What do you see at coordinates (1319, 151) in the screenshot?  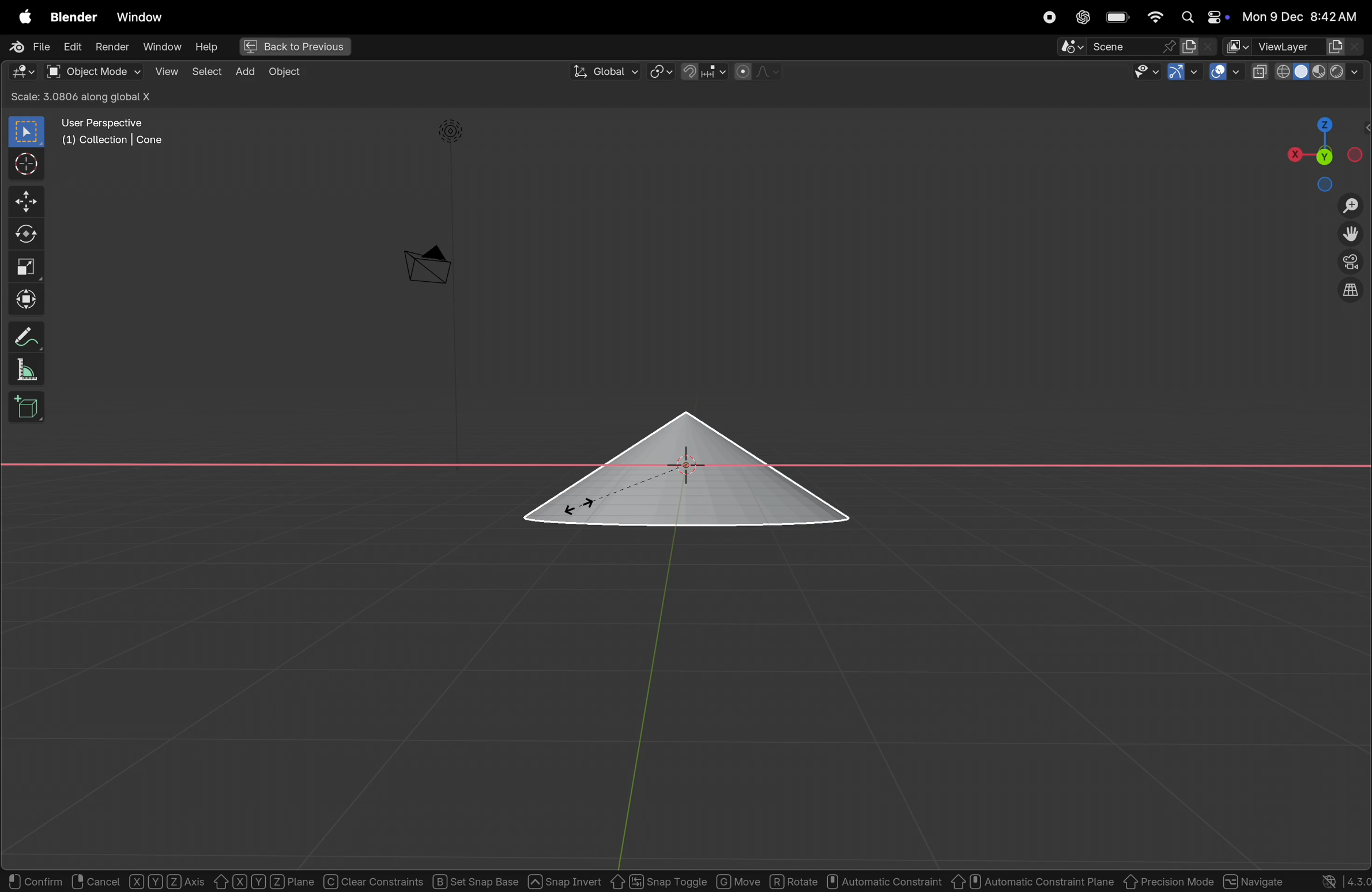 I see `view point` at bounding box center [1319, 151].